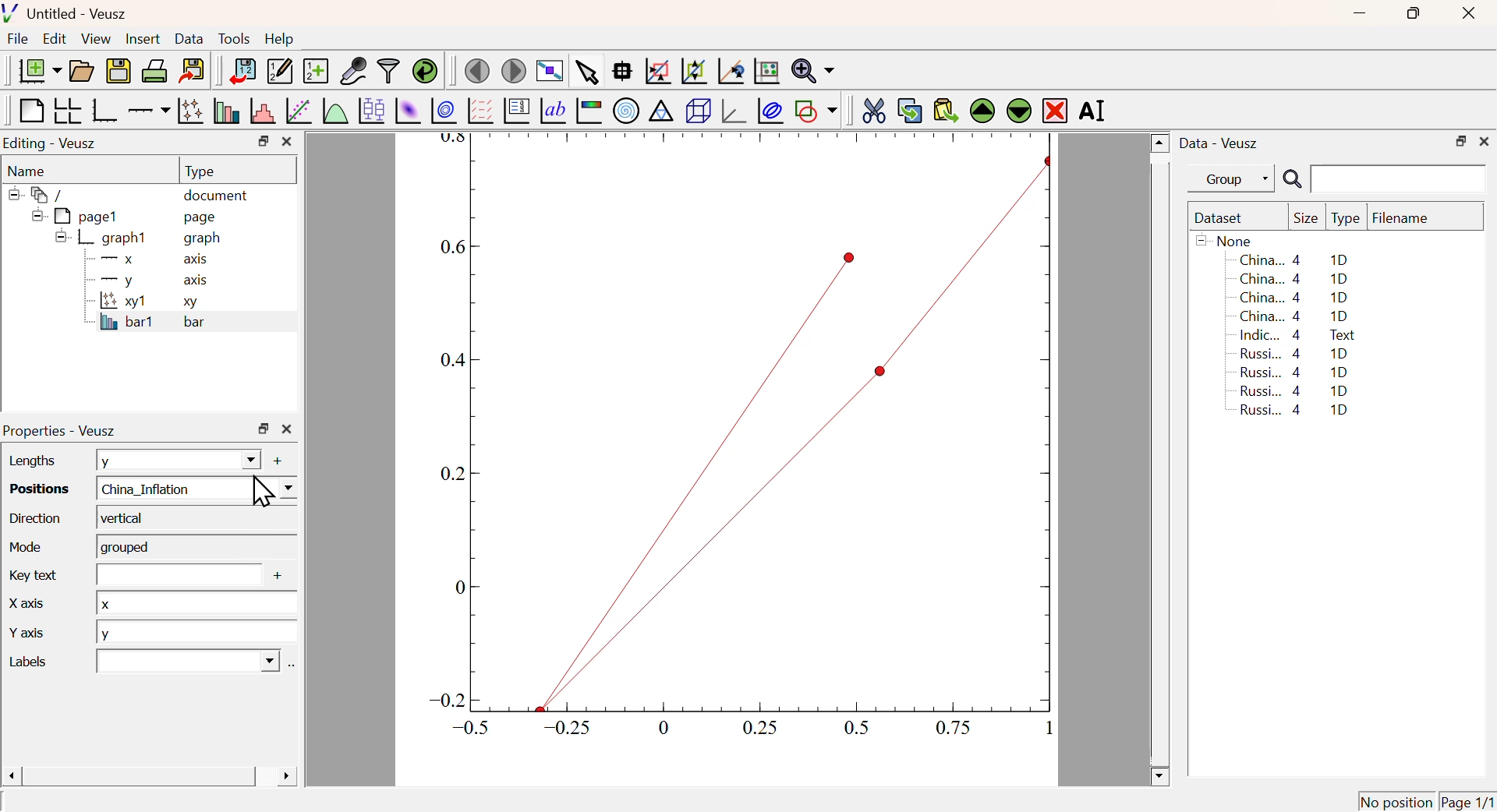 This screenshot has width=1497, height=812. I want to click on Previous Page, so click(478, 72).